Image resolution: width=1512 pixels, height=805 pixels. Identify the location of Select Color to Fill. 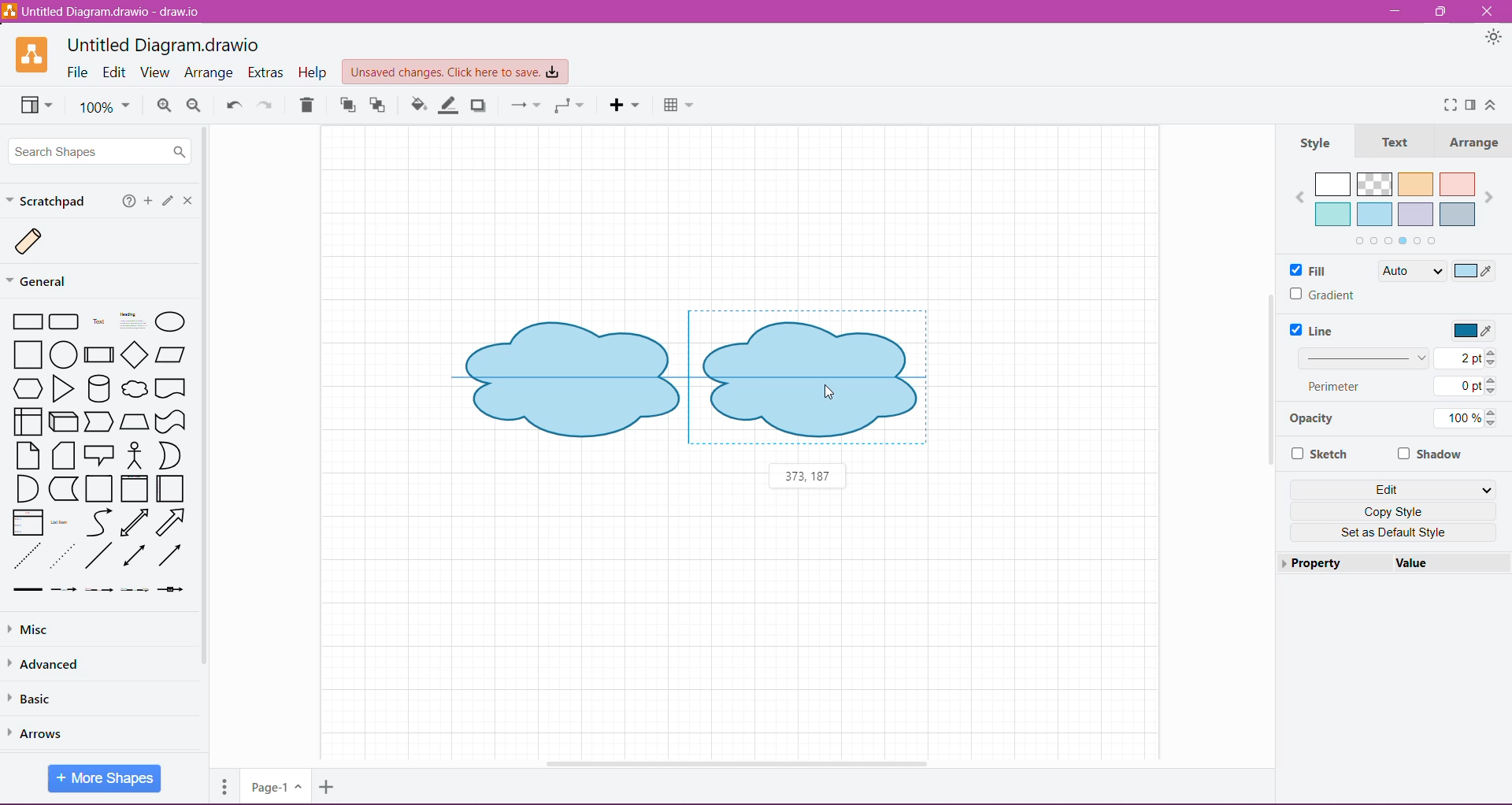
(1475, 273).